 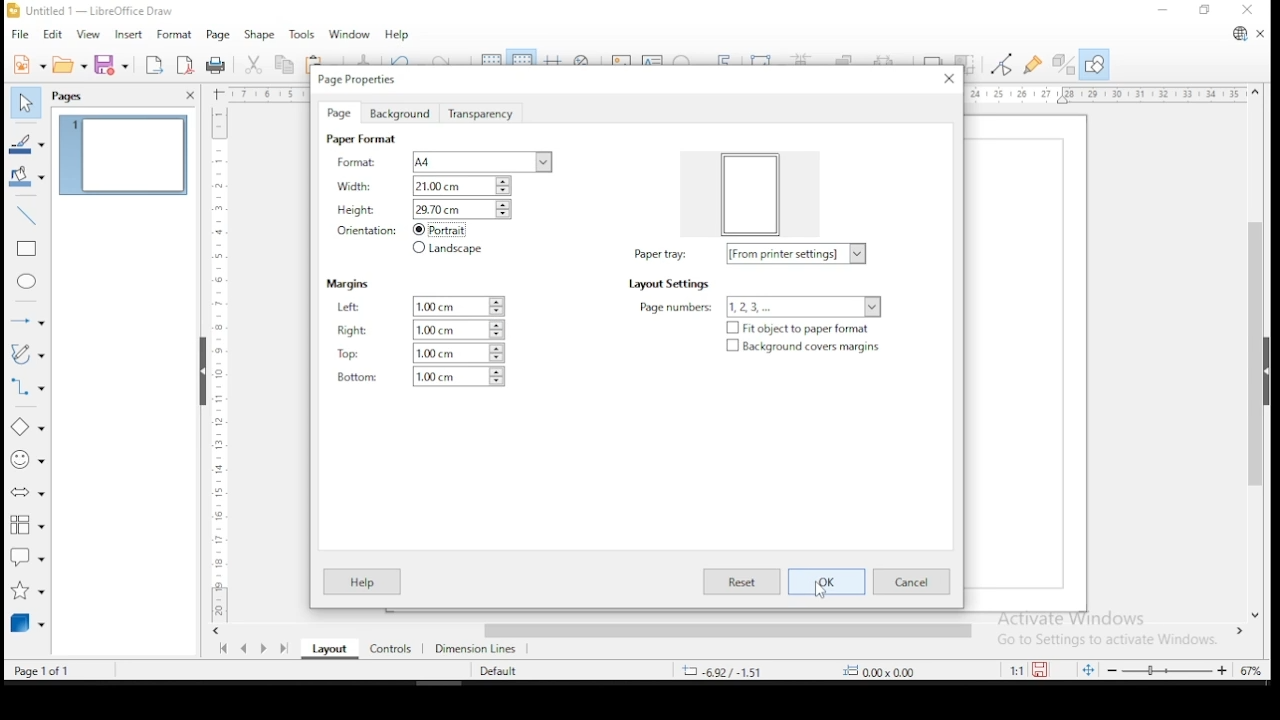 What do you see at coordinates (186, 96) in the screenshot?
I see `close pane` at bounding box center [186, 96].